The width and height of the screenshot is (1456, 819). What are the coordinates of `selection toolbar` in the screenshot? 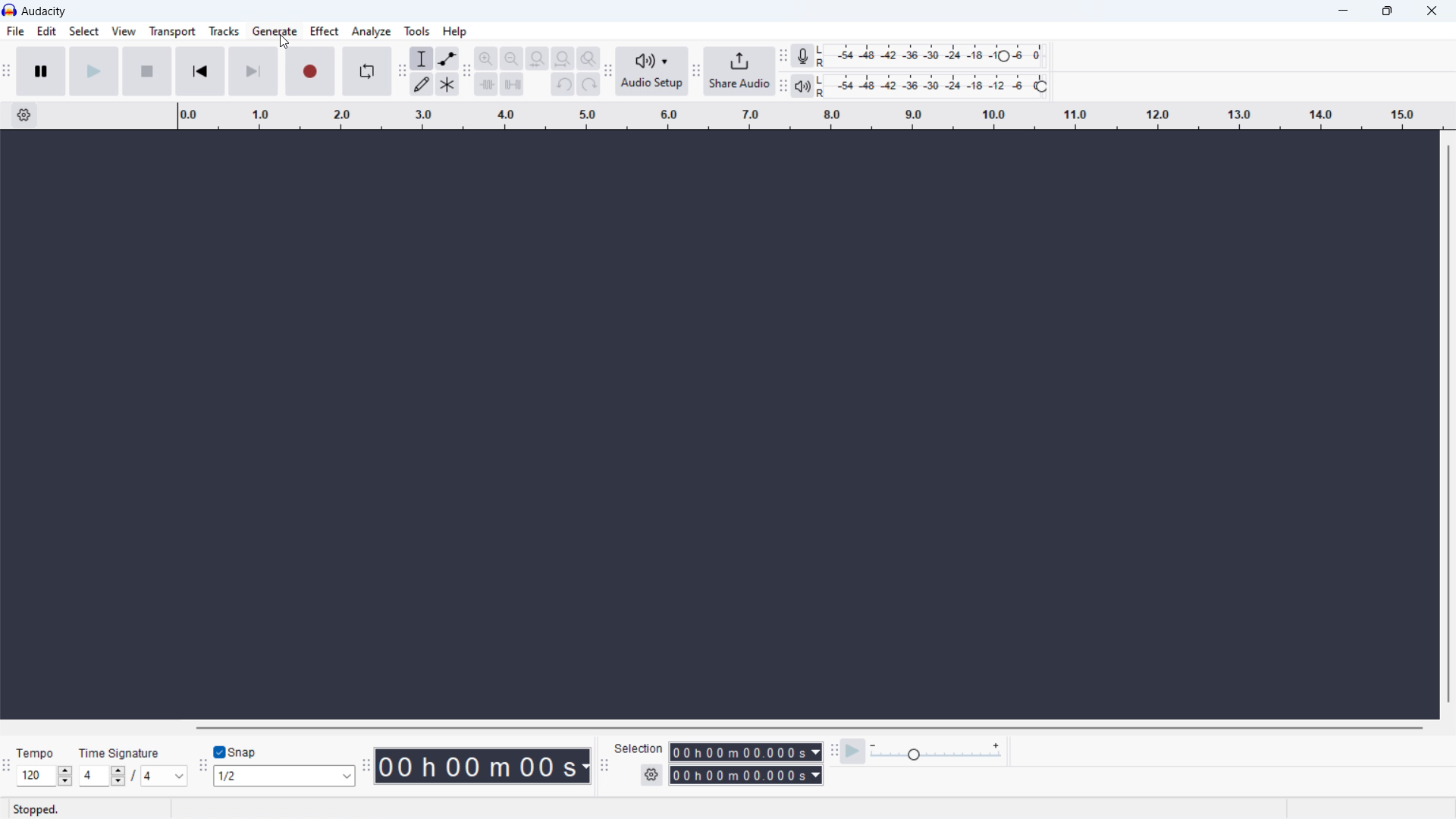 It's located at (604, 763).